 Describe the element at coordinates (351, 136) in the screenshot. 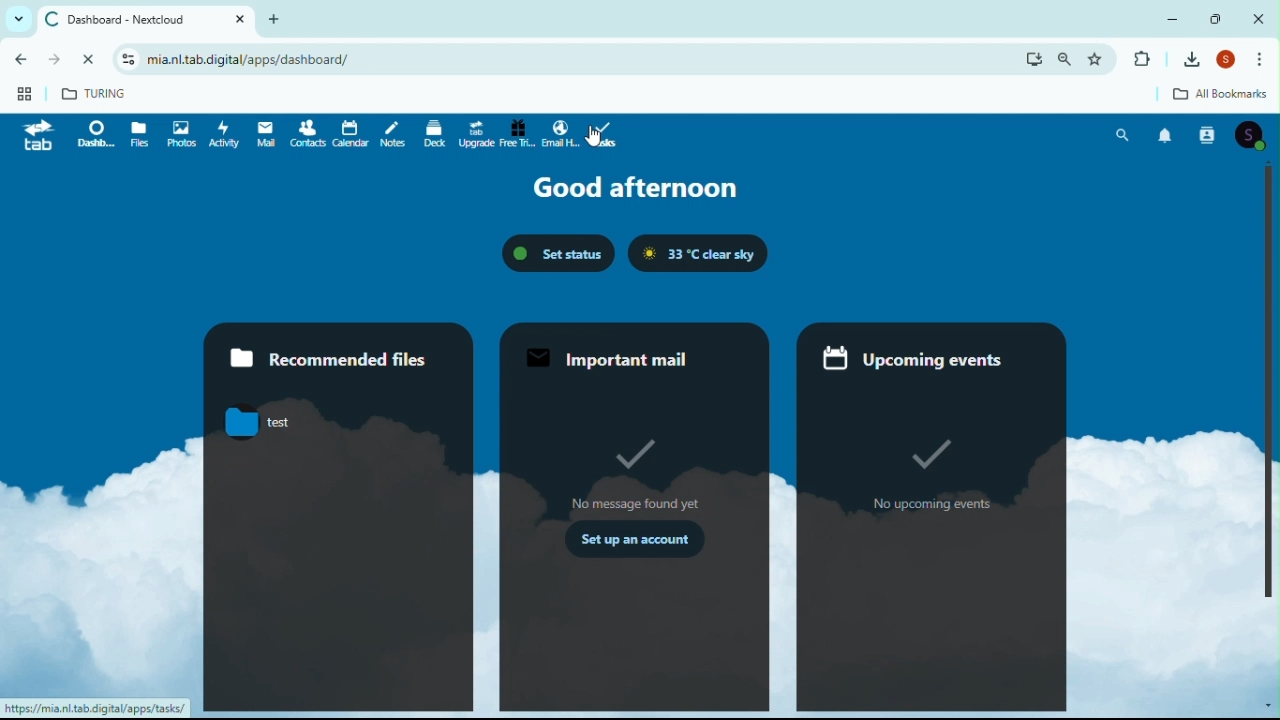

I see `Calendar` at that location.